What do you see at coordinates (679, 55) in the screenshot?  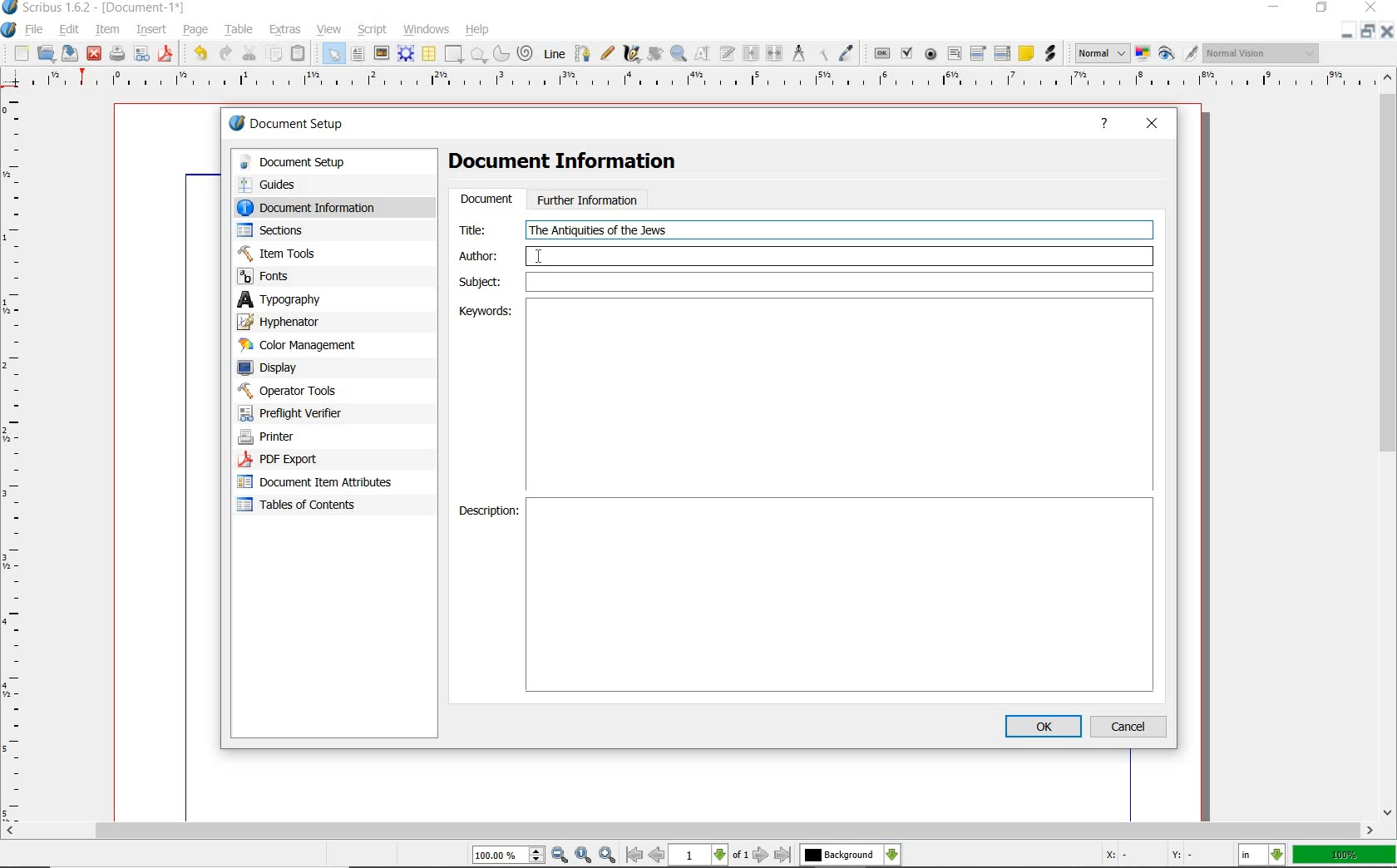 I see `zoom in or zoom out` at bounding box center [679, 55].